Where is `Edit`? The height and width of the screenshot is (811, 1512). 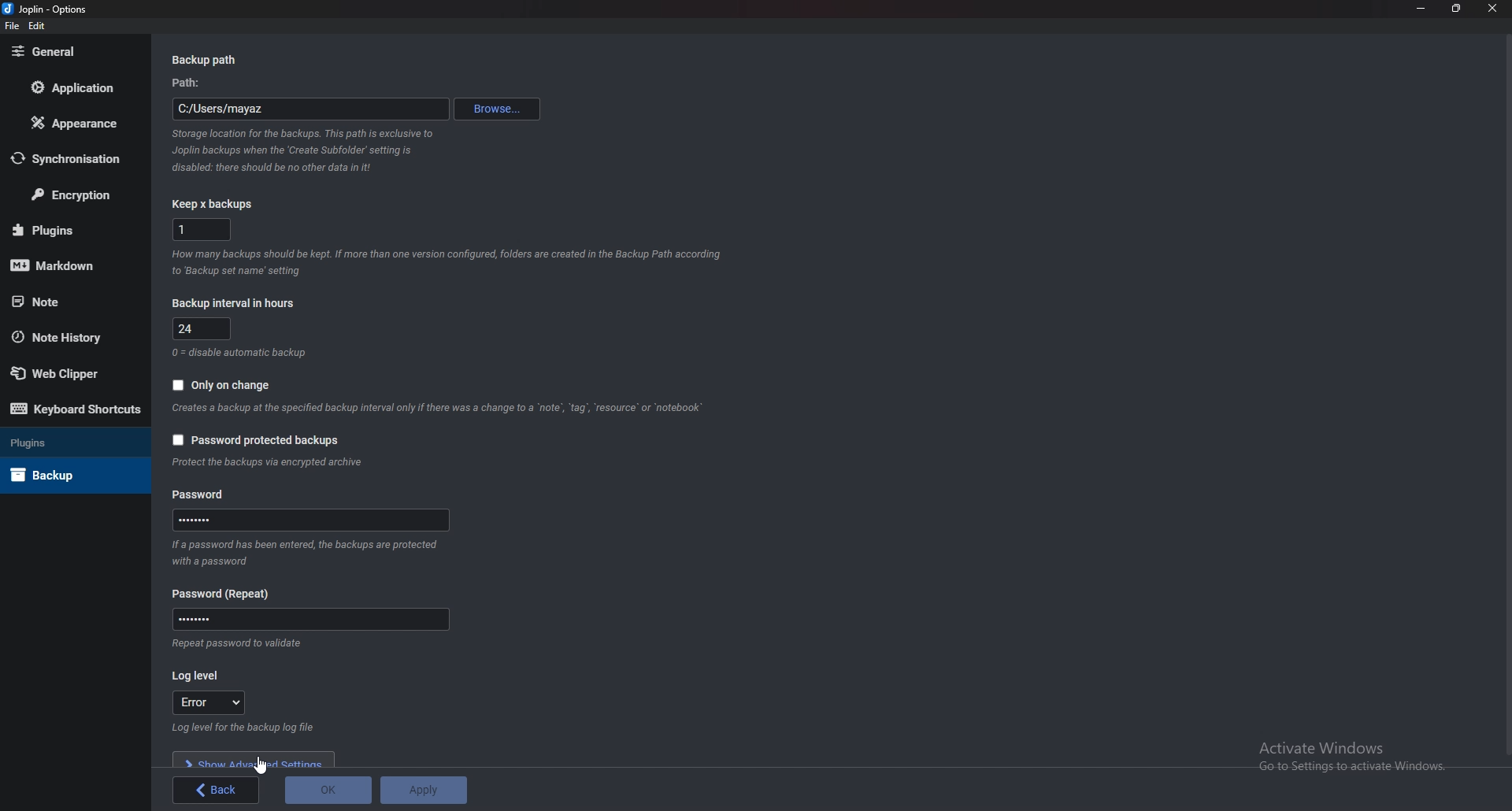 Edit is located at coordinates (38, 26).